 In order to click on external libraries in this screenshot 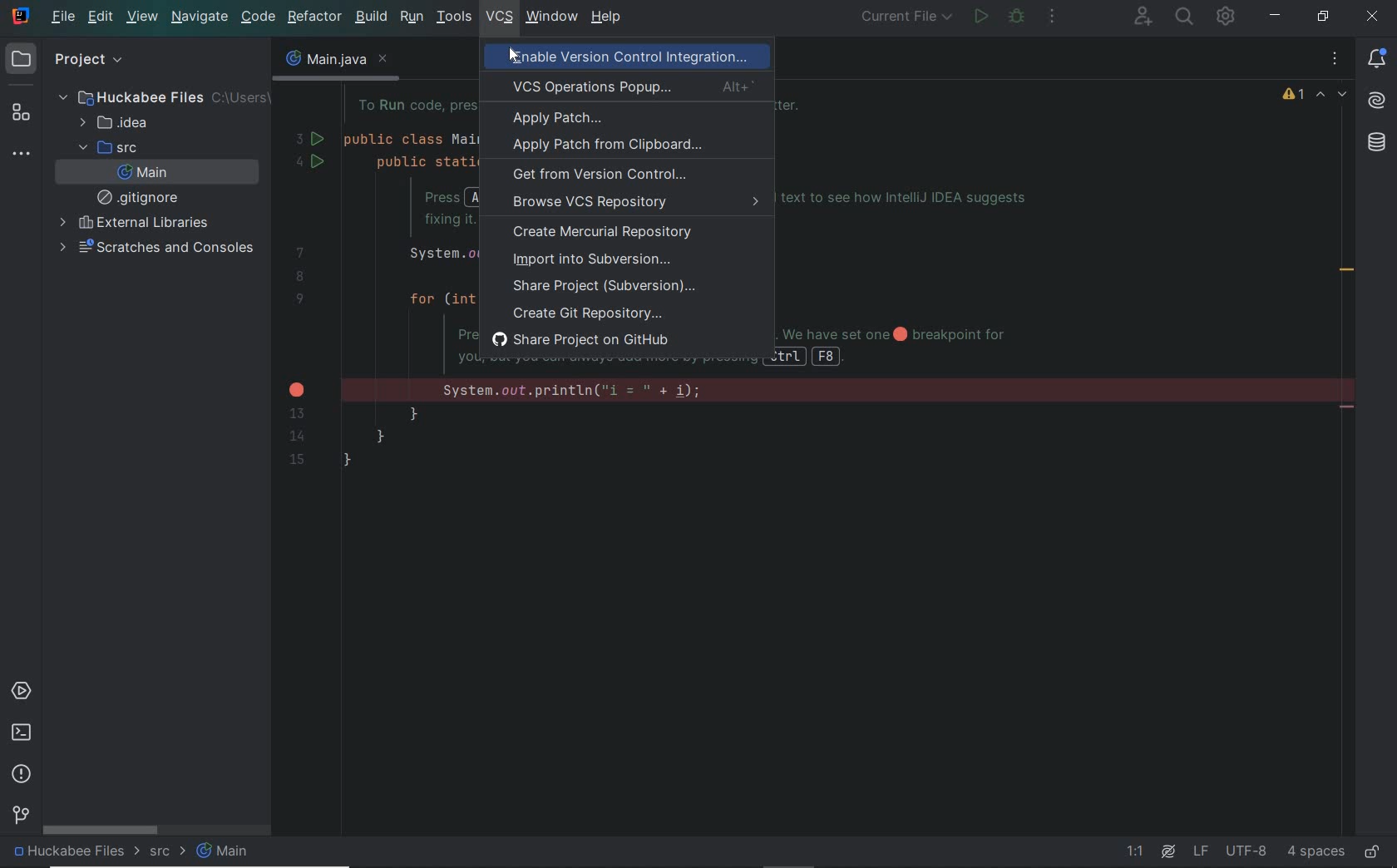, I will do `click(132, 223)`.